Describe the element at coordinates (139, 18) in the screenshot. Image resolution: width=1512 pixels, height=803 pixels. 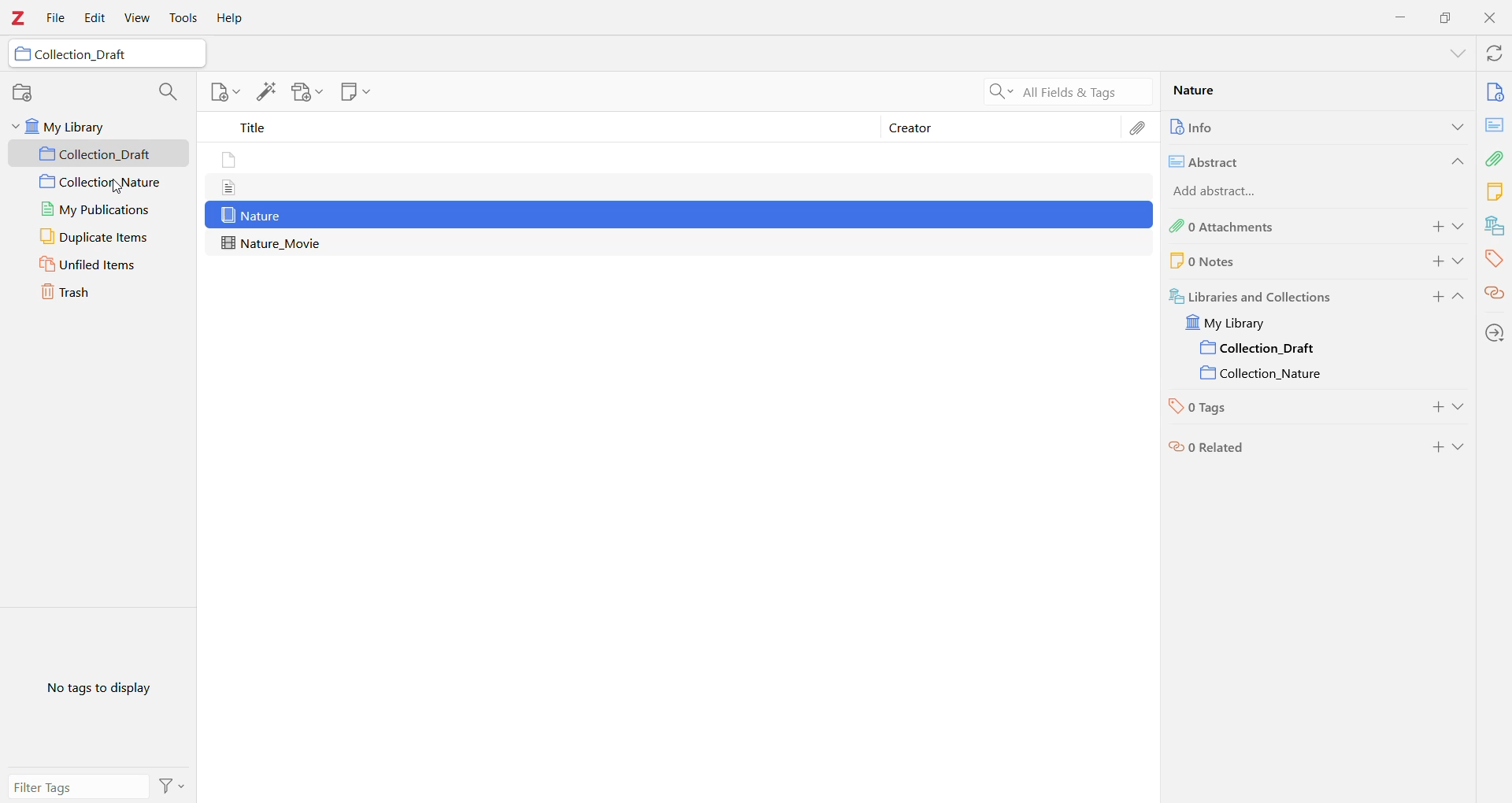
I see `View` at that location.